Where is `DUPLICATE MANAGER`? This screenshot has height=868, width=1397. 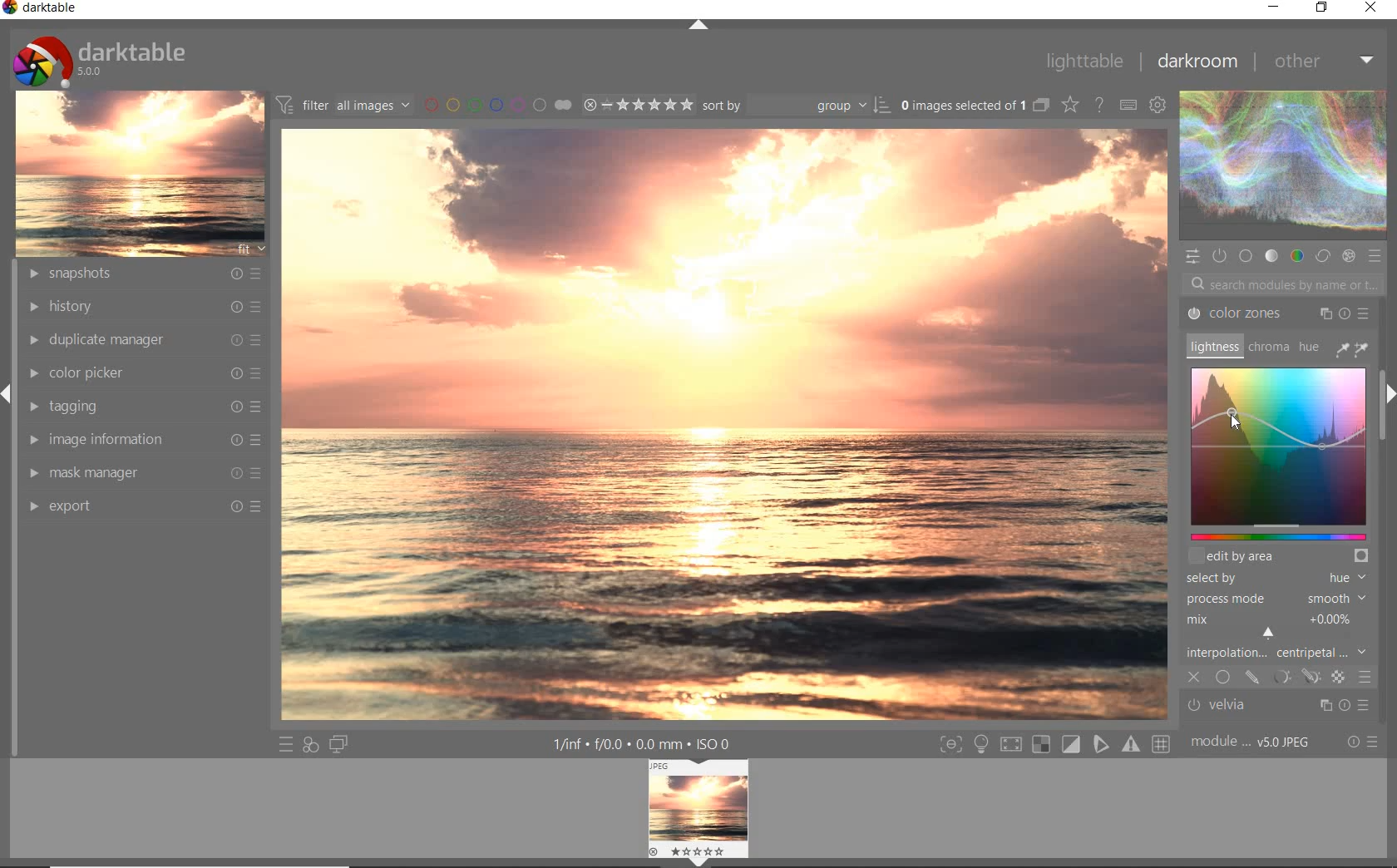
DUPLICATE MANAGER is located at coordinates (141, 338).